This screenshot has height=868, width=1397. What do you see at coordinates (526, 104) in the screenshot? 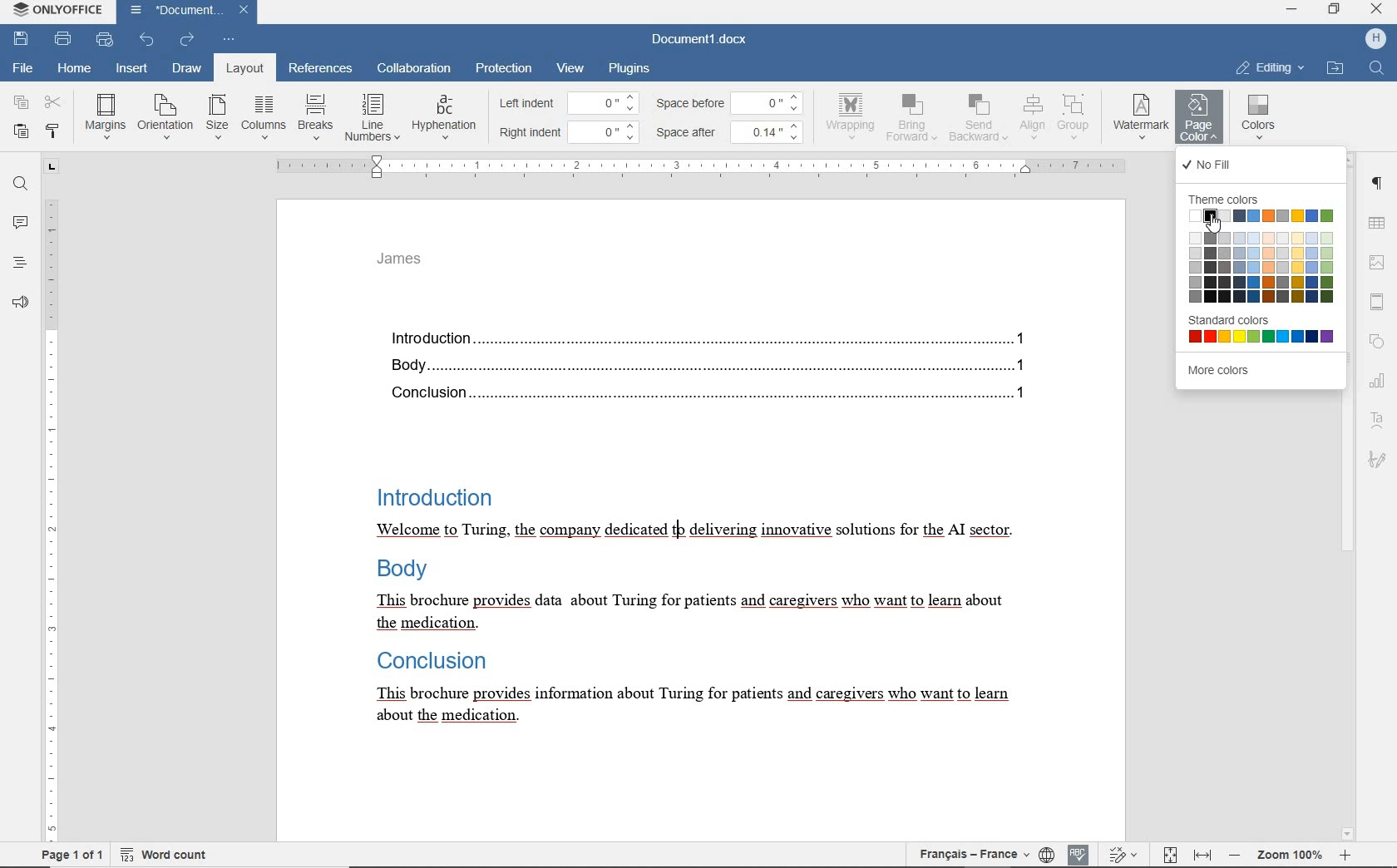
I see `left indent` at bounding box center [526, 104].